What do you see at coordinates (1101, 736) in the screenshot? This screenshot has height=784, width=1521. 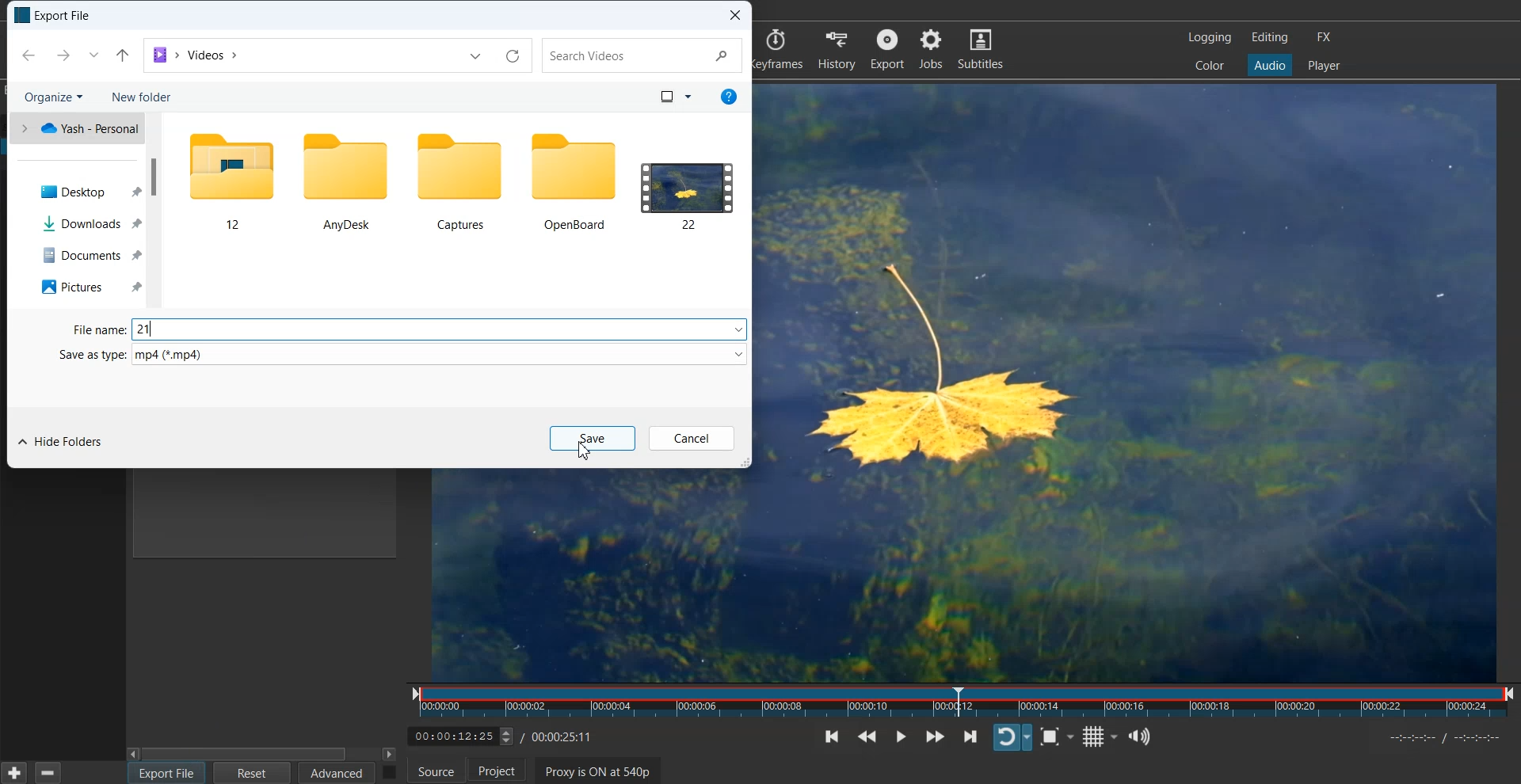 I see `Toggle grid display on the player` at bounding box center [1101, 736].